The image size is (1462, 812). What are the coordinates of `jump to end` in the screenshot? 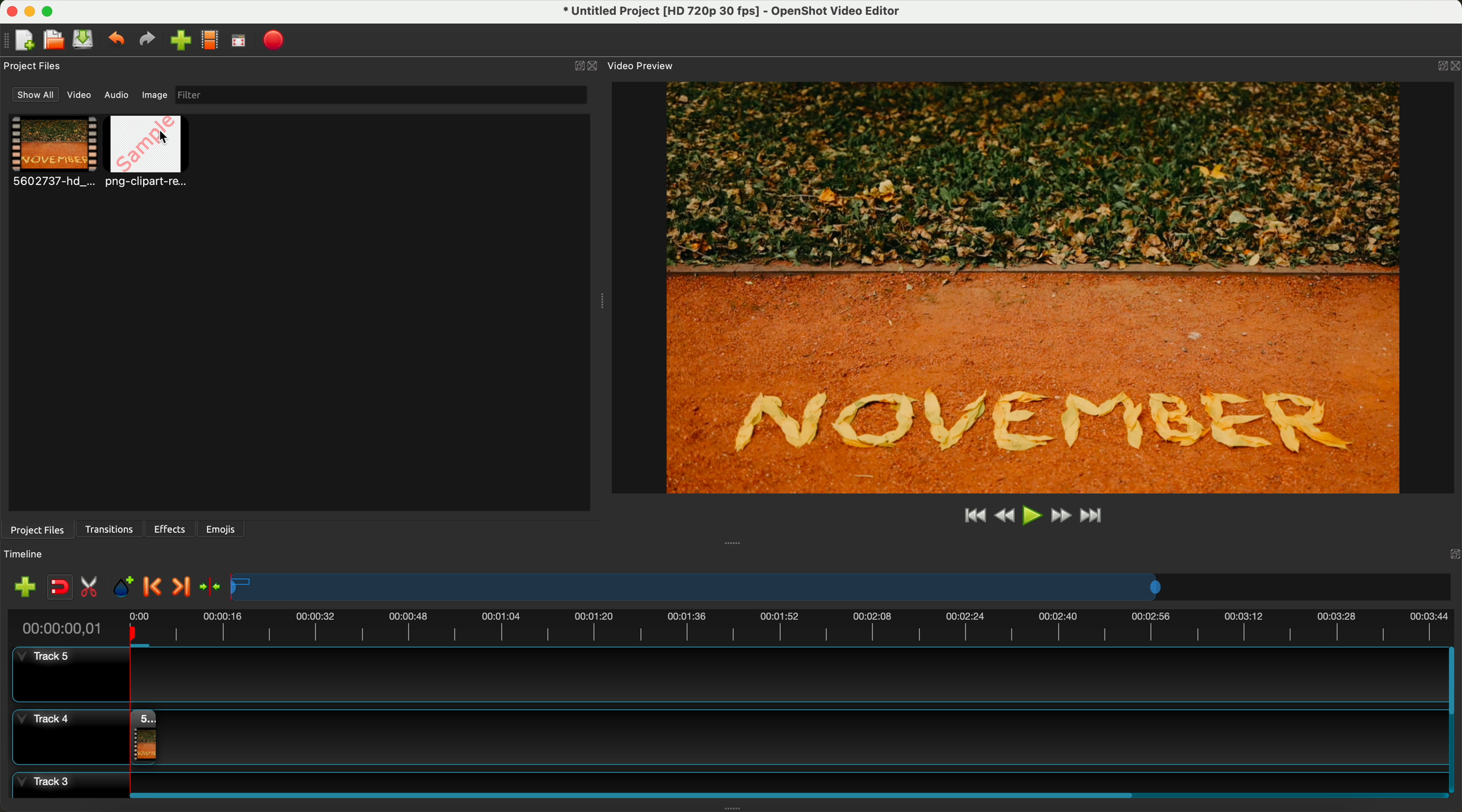 It's located at (1093, 517).